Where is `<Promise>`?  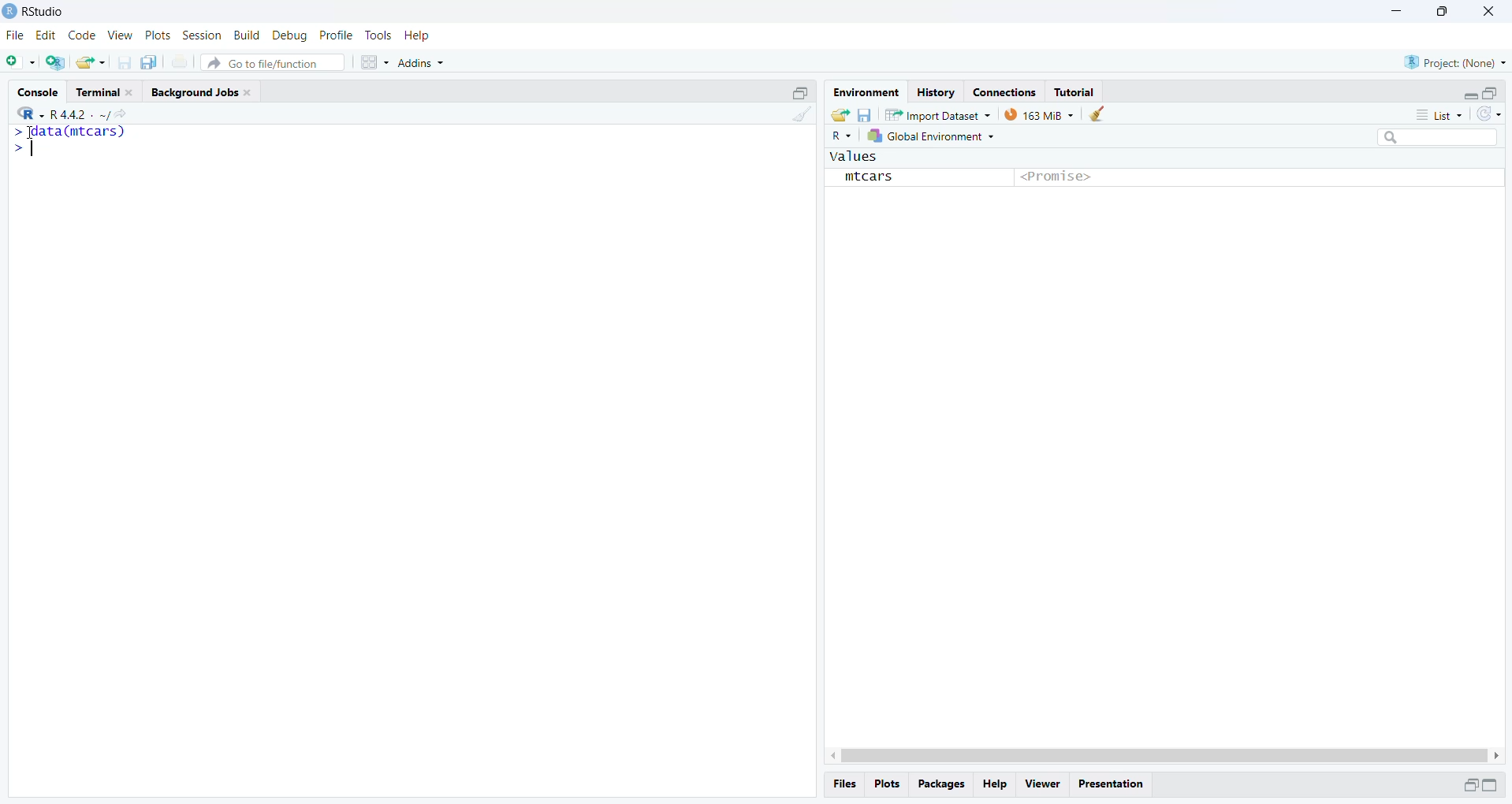 <Promise> is located at coordinates (1056, 177).